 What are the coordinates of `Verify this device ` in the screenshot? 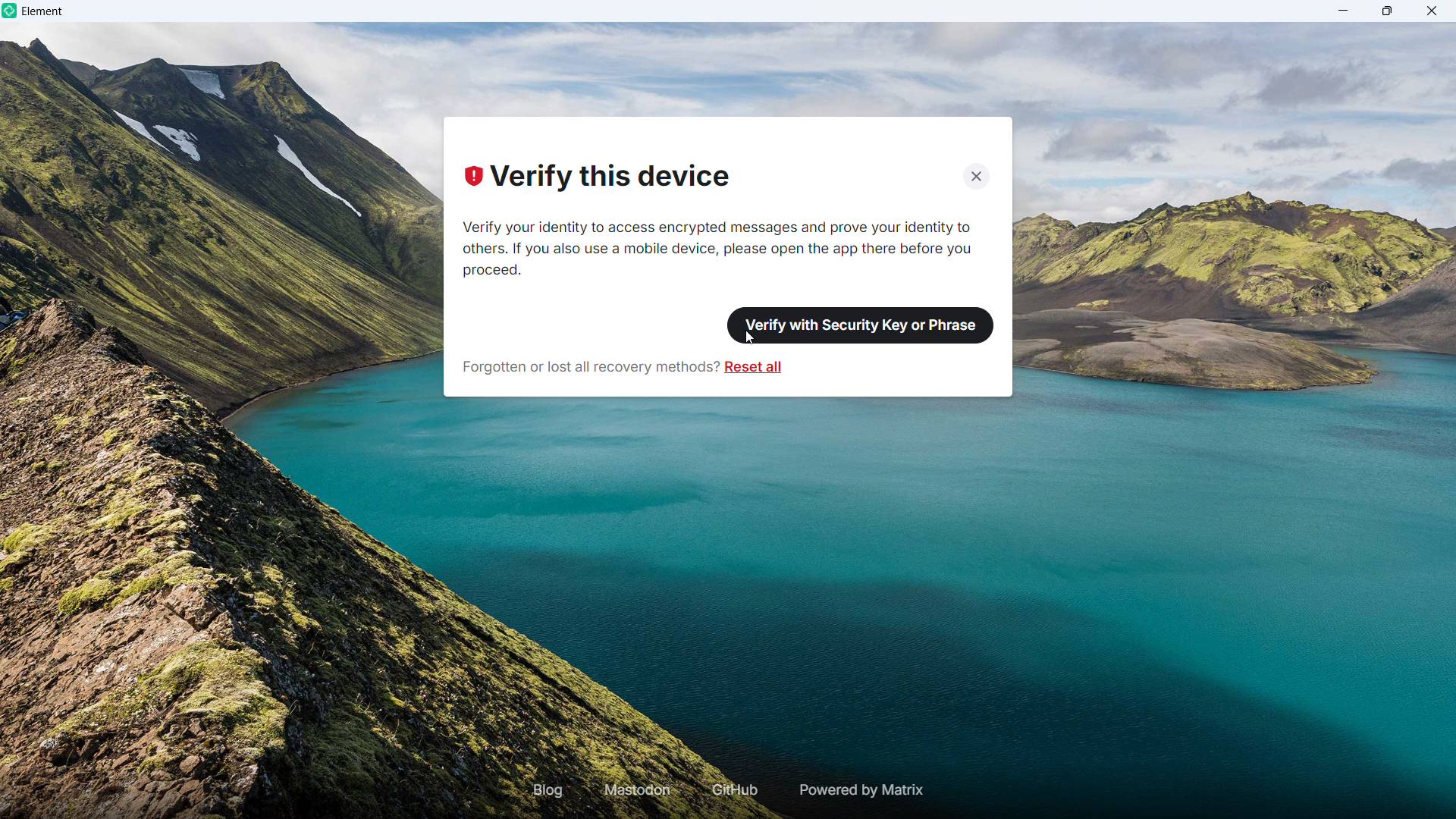 It's located at (610, 178).